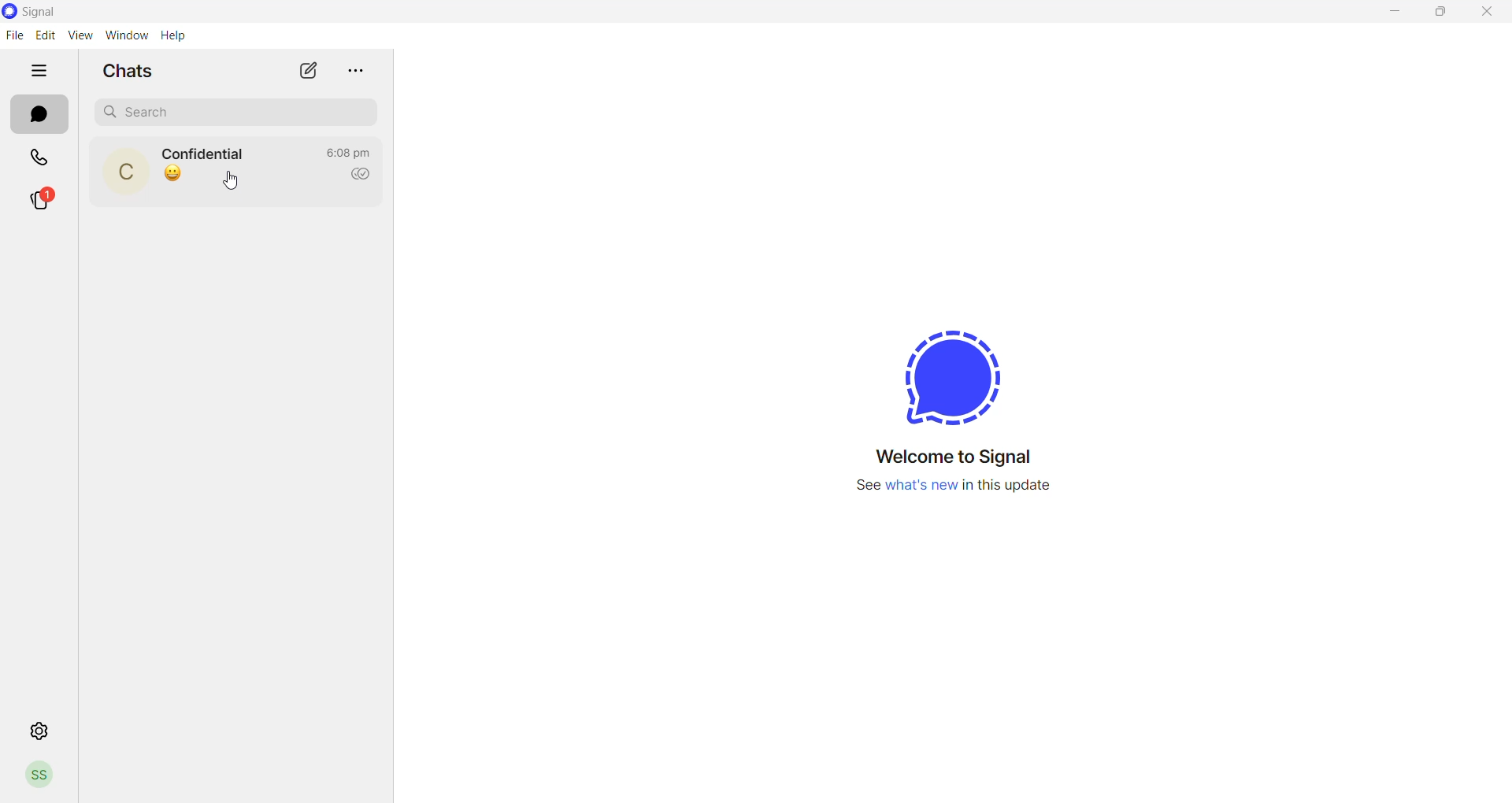 Image resolution: width=1512 pixels, height=803 pixels. Describe the element at coordinates (37, 730) in the screenshot. I see `settings` at that location.